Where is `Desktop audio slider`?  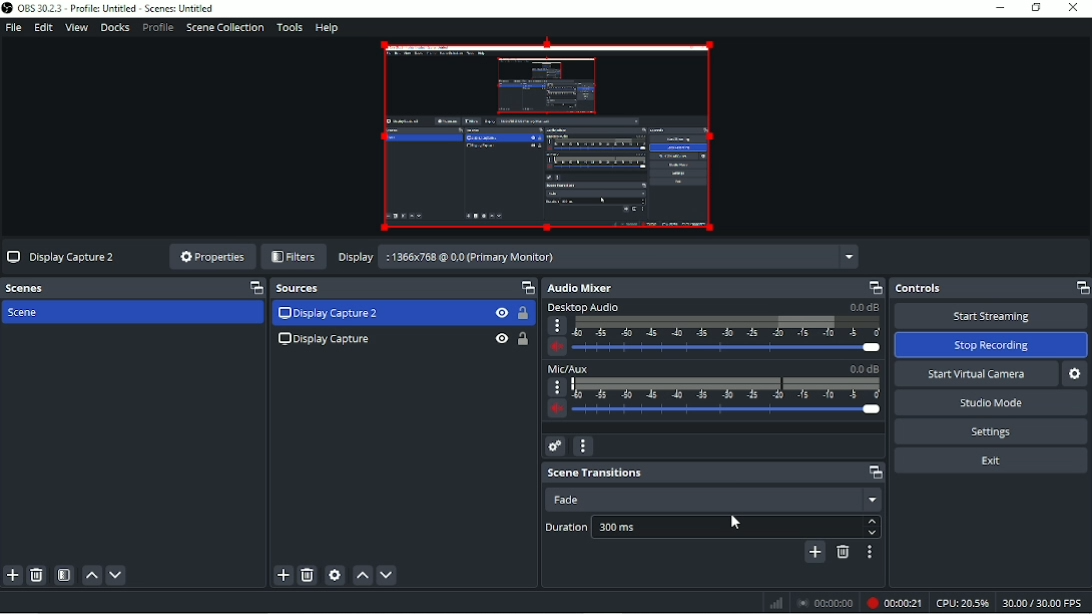
Desktop audio slider is located at coordinates (718, 330).